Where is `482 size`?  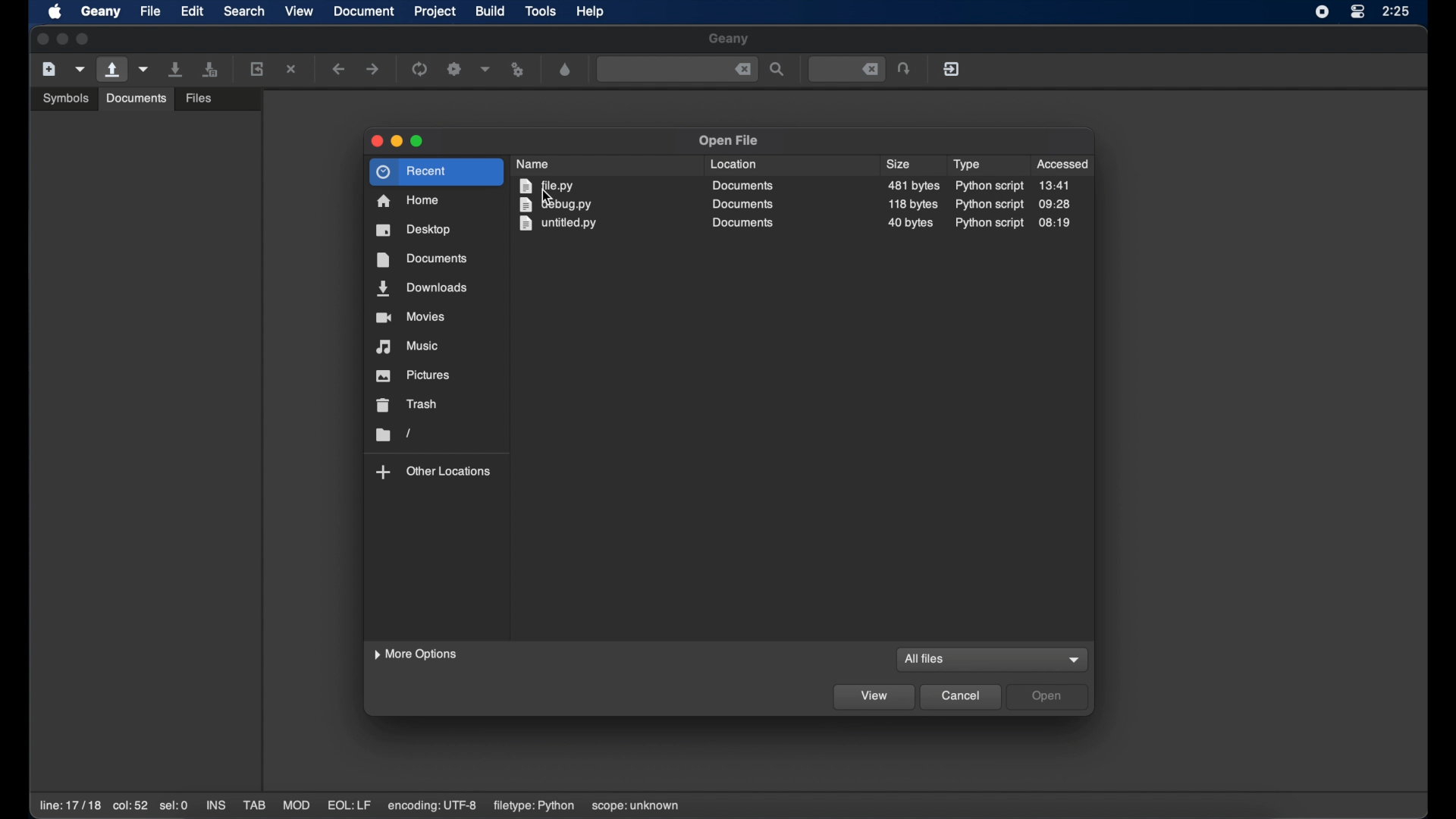 482 size is located at coordinates (913, 186).